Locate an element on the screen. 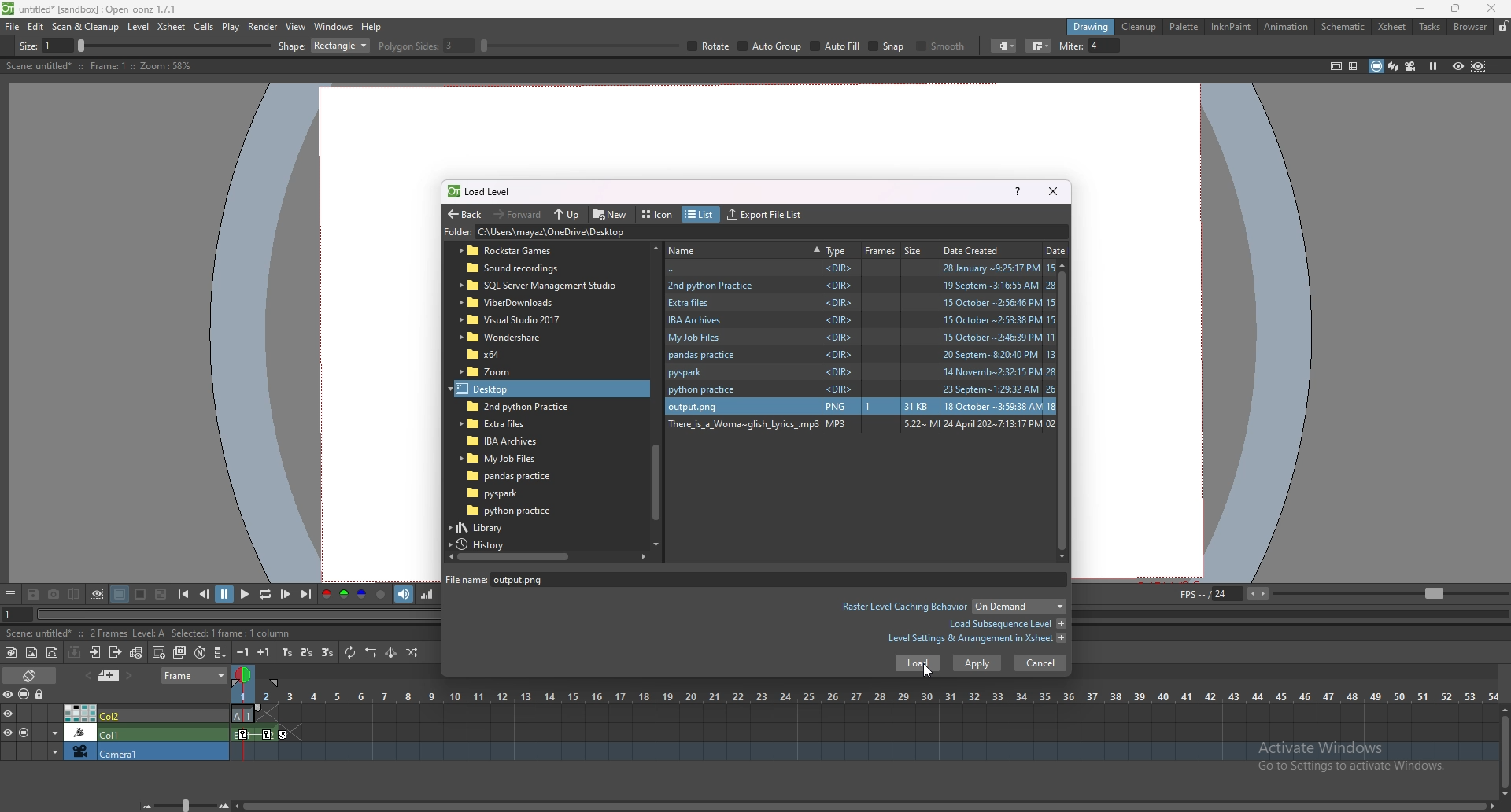  cells is located at coordinates (203, 26).